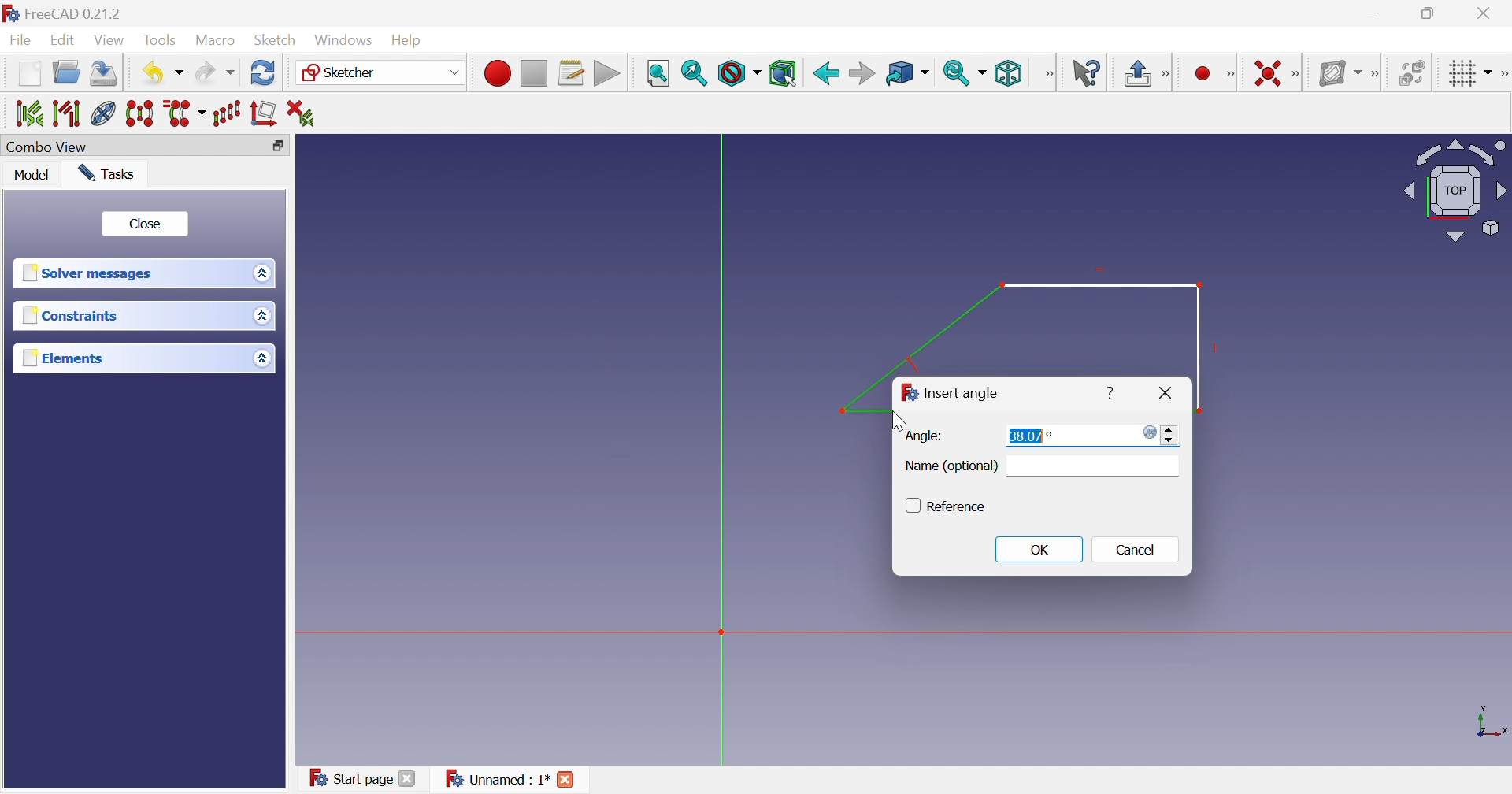 The image size is (1512, 794). I want to click on Name (optional), so click(951, 468).